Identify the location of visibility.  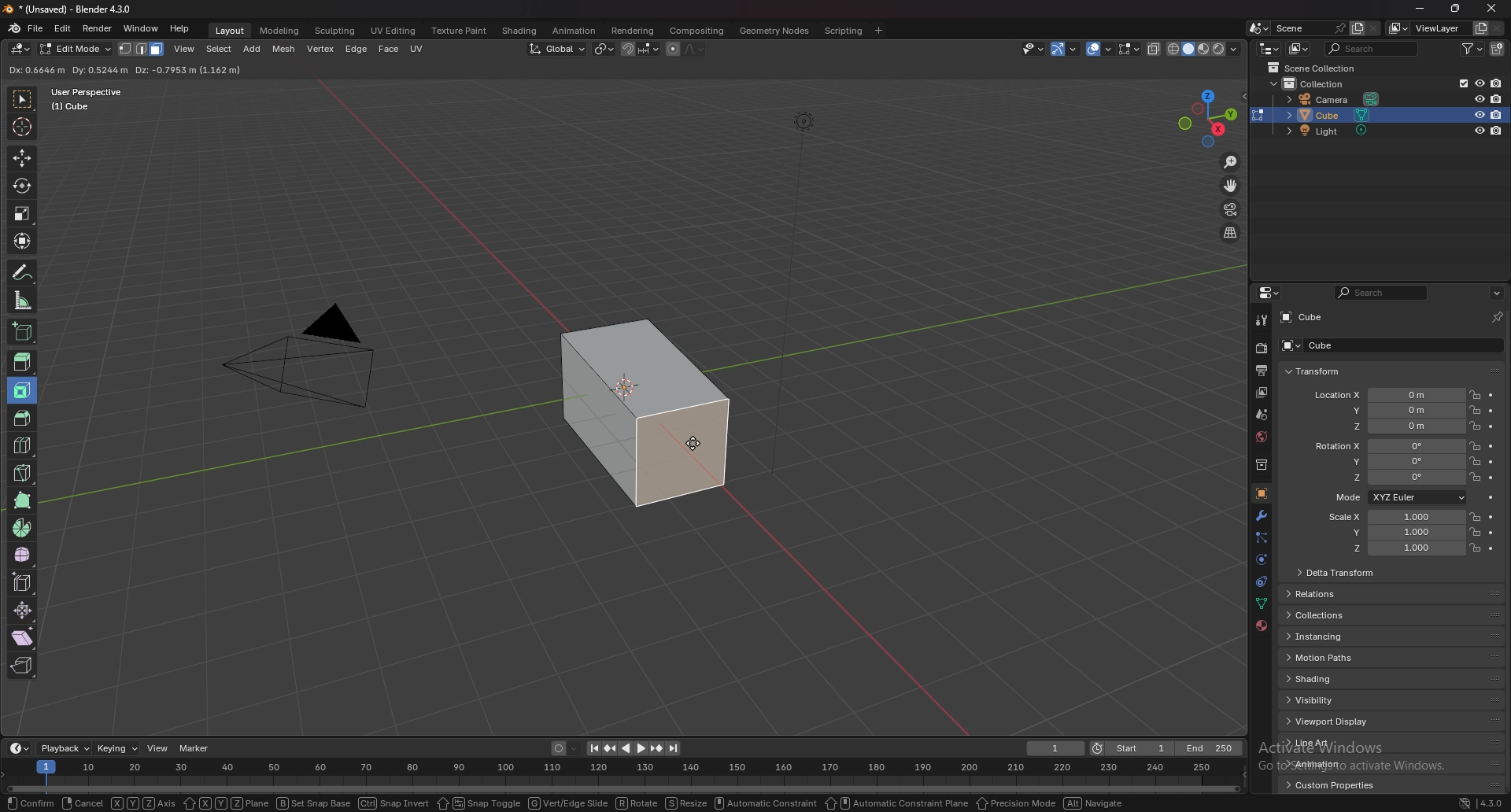
(1332, 699).